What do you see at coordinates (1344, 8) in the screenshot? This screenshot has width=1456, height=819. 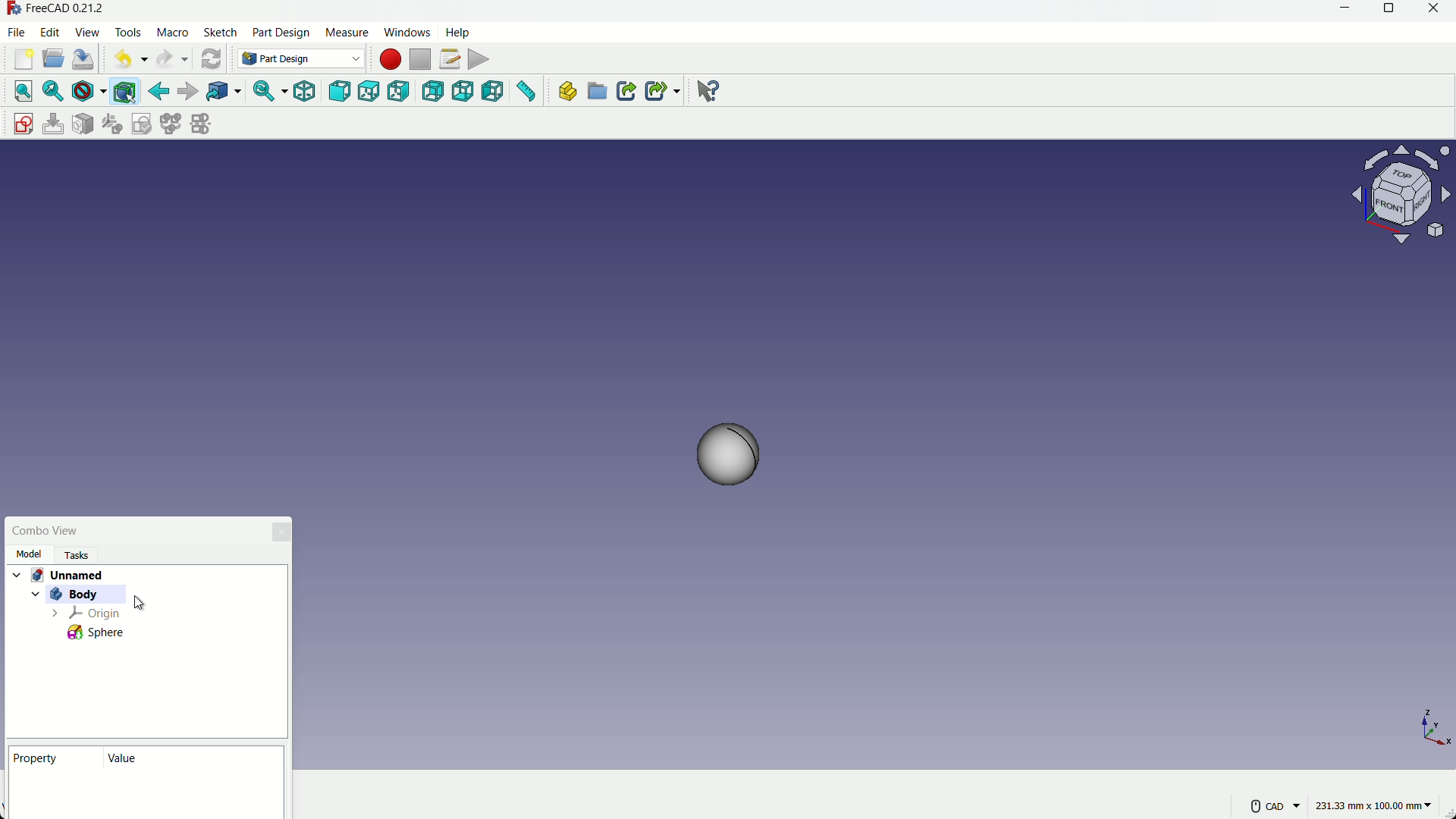 I see `minimize` at bounding box center [1344, 8].